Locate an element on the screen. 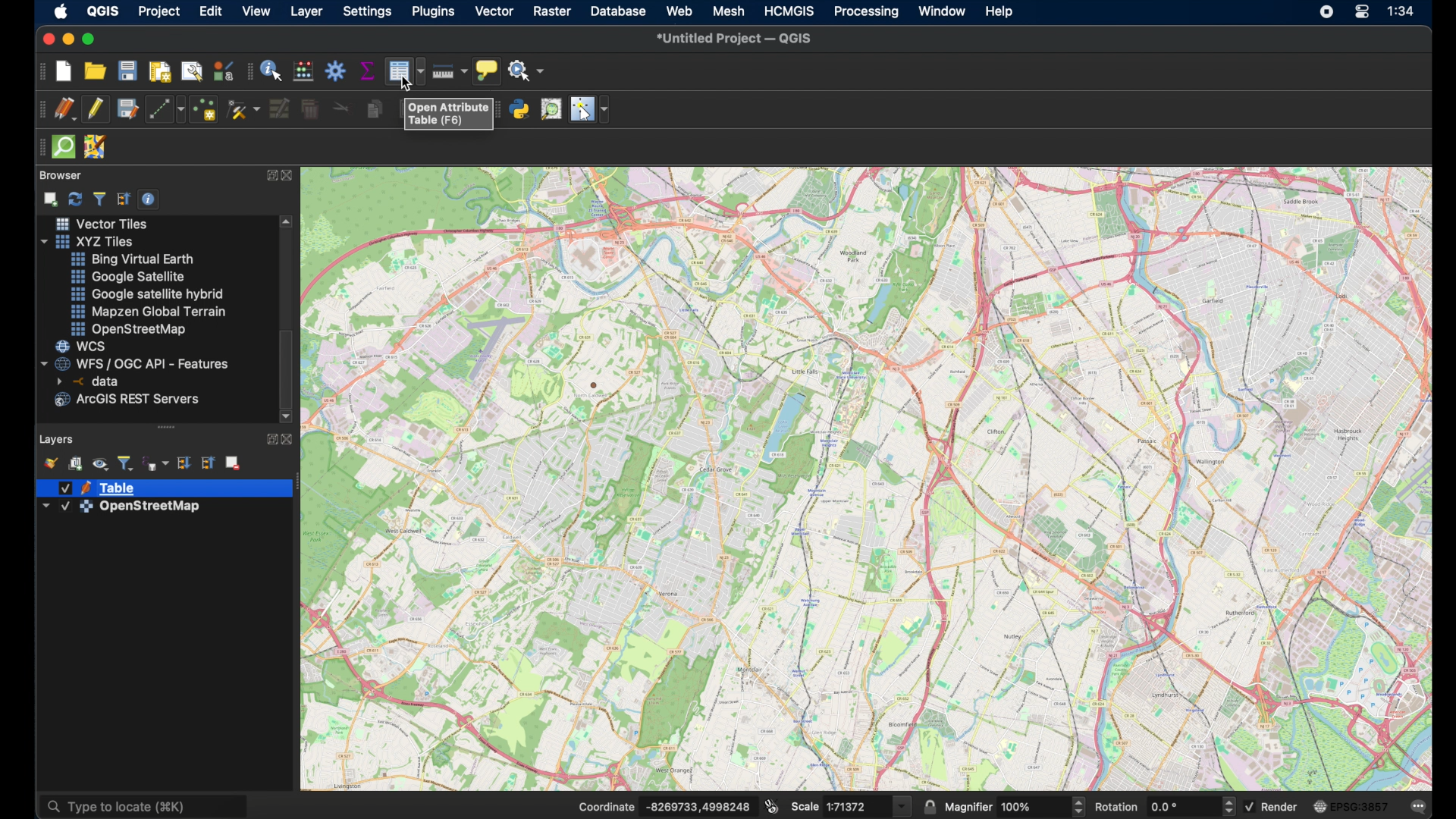 Image resolution: width=1456 pixels, height=819 pixels. screen recording icon is located at coordinates (1326, 14).